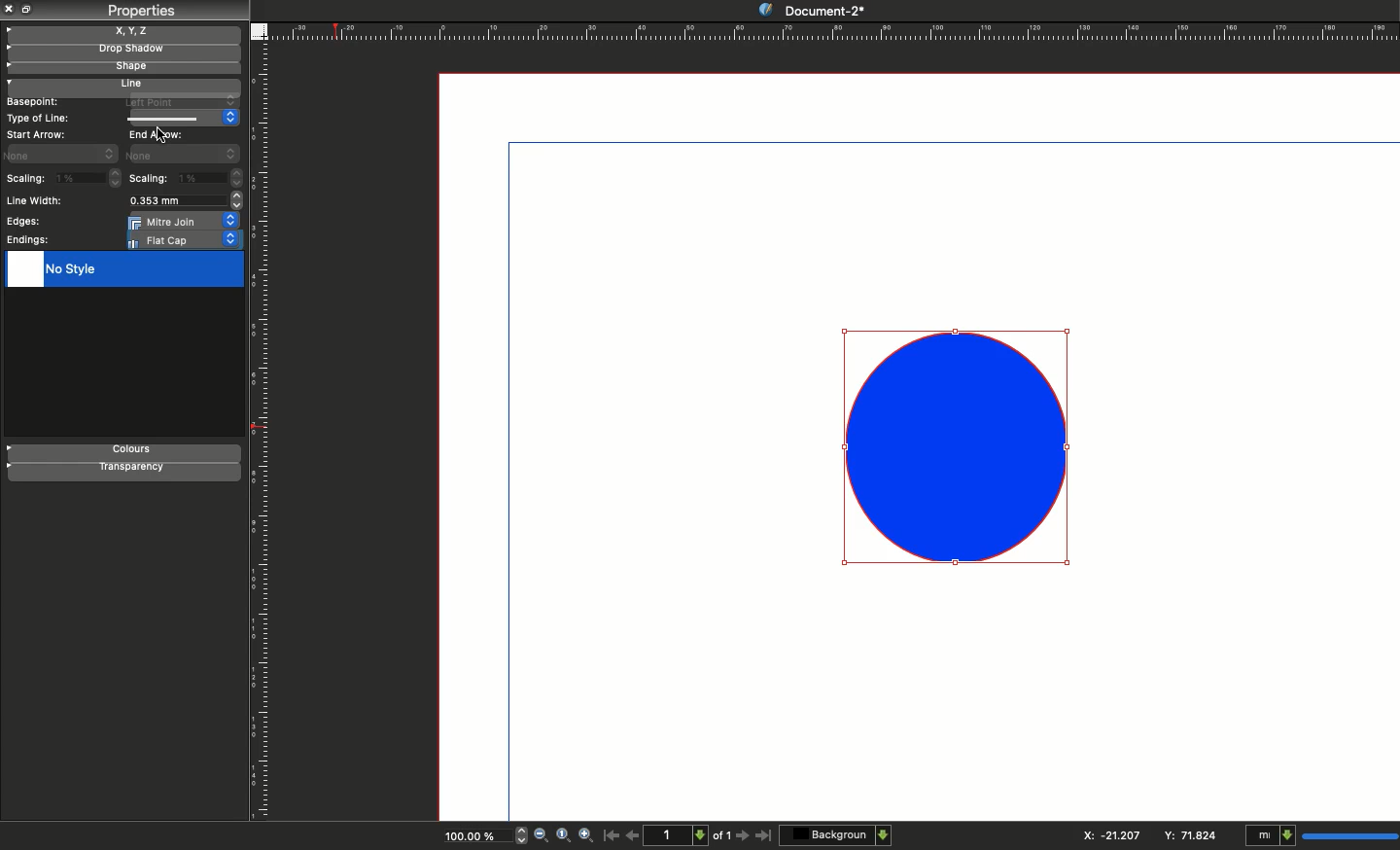 The width and height of the screenshot is (1400, 850). I want to click on Endings, so click(29, 240).